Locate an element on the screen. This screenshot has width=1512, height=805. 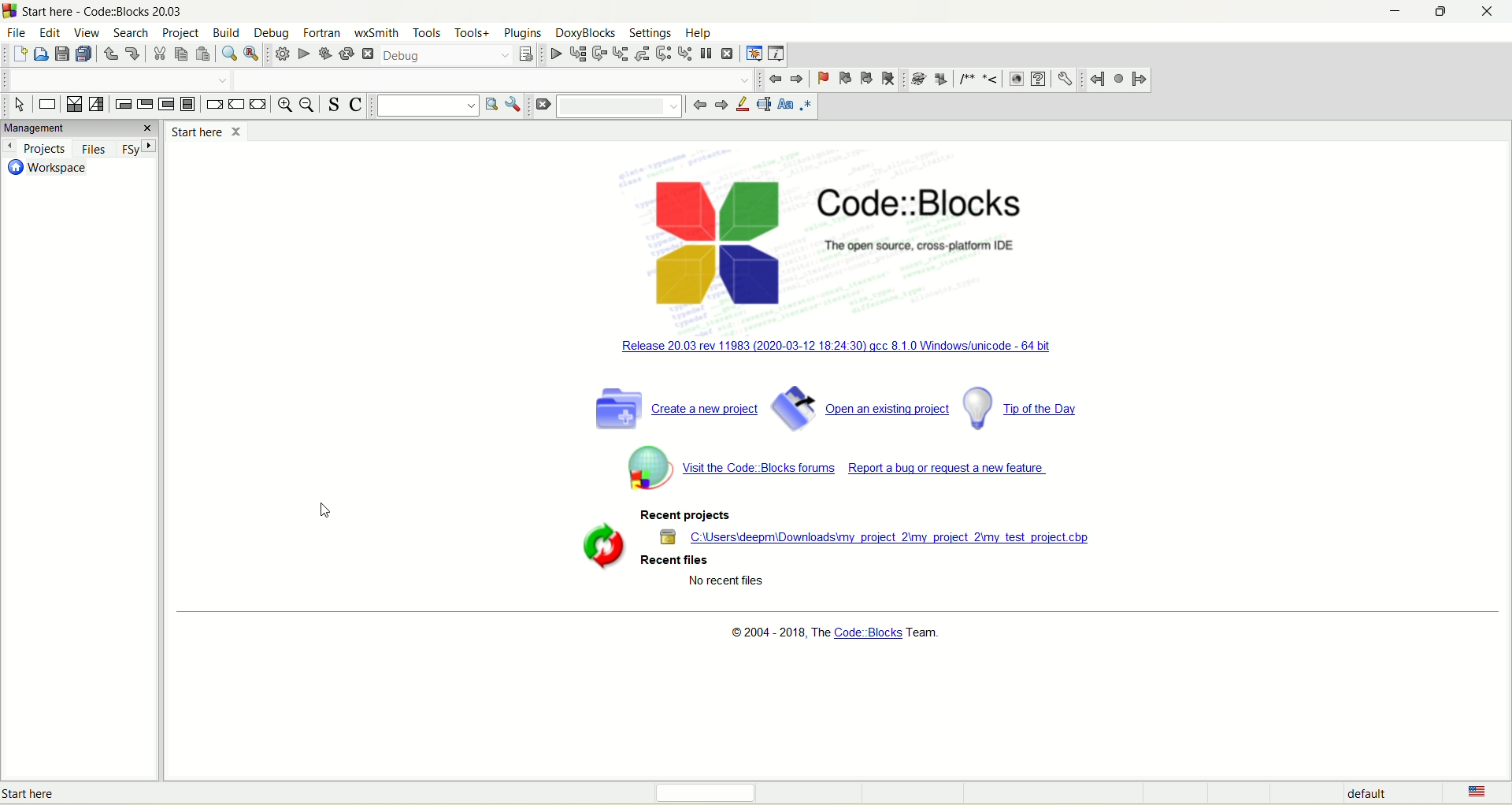
doxywizard is located at coordinates (922, 78).